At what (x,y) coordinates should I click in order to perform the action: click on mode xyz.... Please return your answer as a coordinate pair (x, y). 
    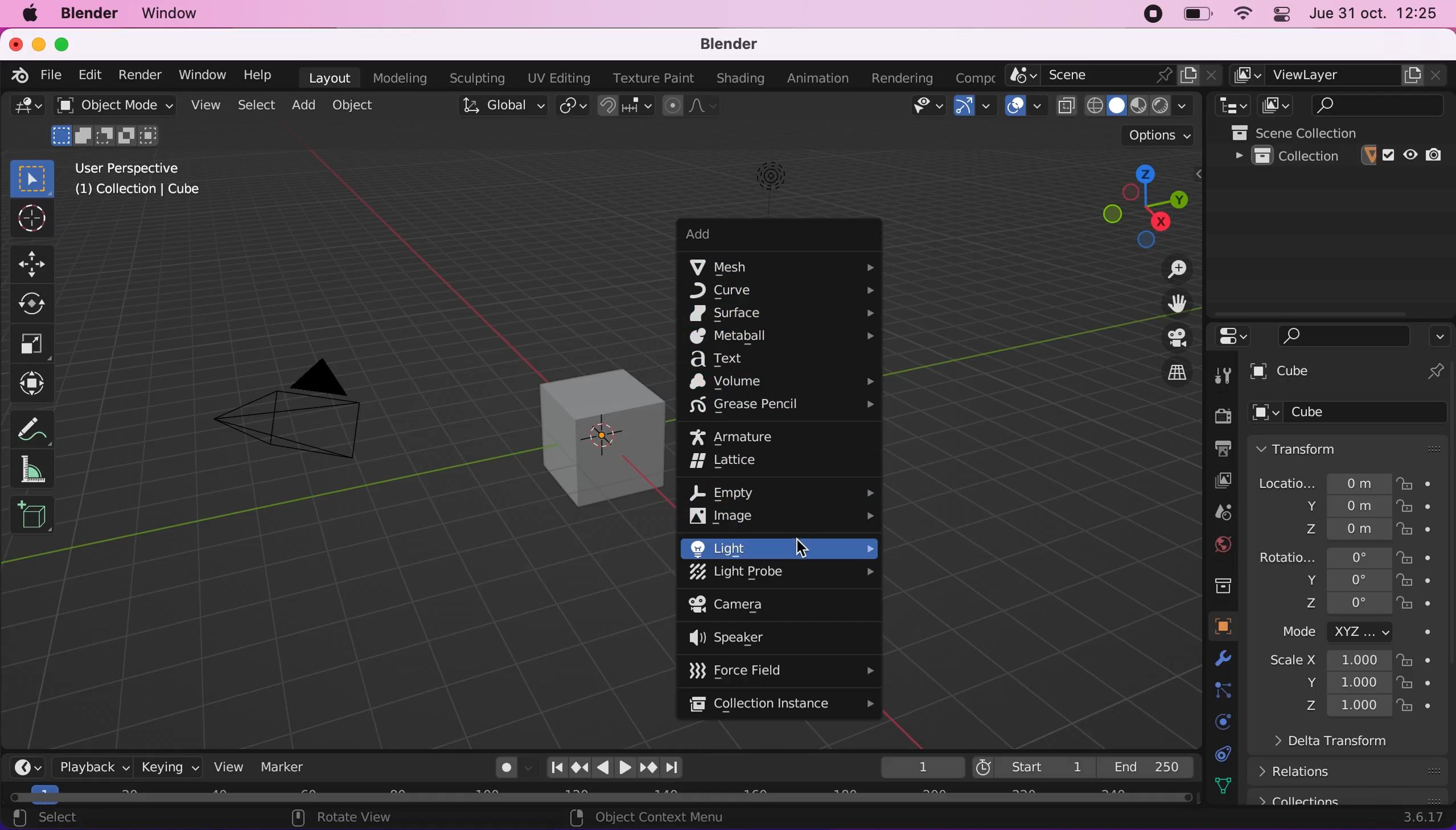
    Looking at the image, I should click on (1351, 632).